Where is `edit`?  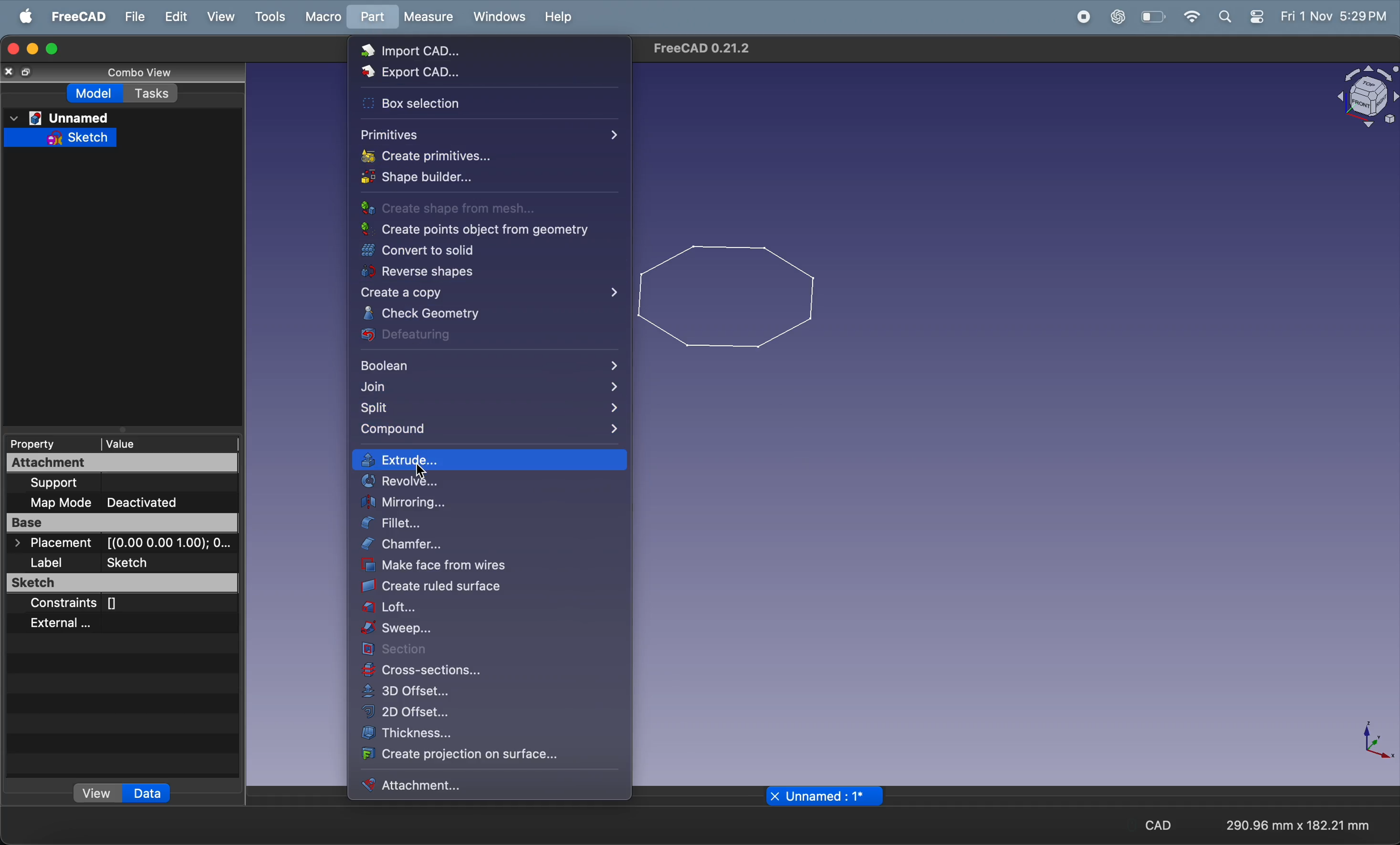 edit is located at coordinates (174, 16).